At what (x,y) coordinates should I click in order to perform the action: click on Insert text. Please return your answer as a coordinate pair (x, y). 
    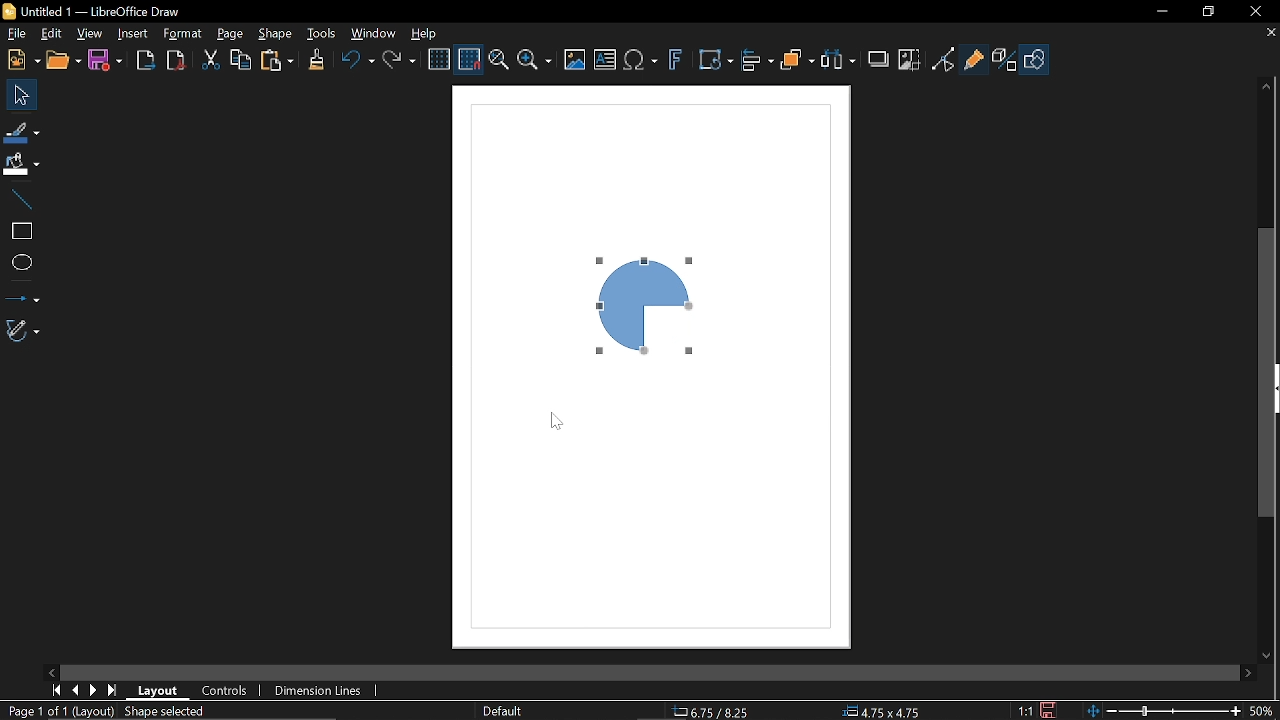
    Looking at the image, I should click on (605, 61).